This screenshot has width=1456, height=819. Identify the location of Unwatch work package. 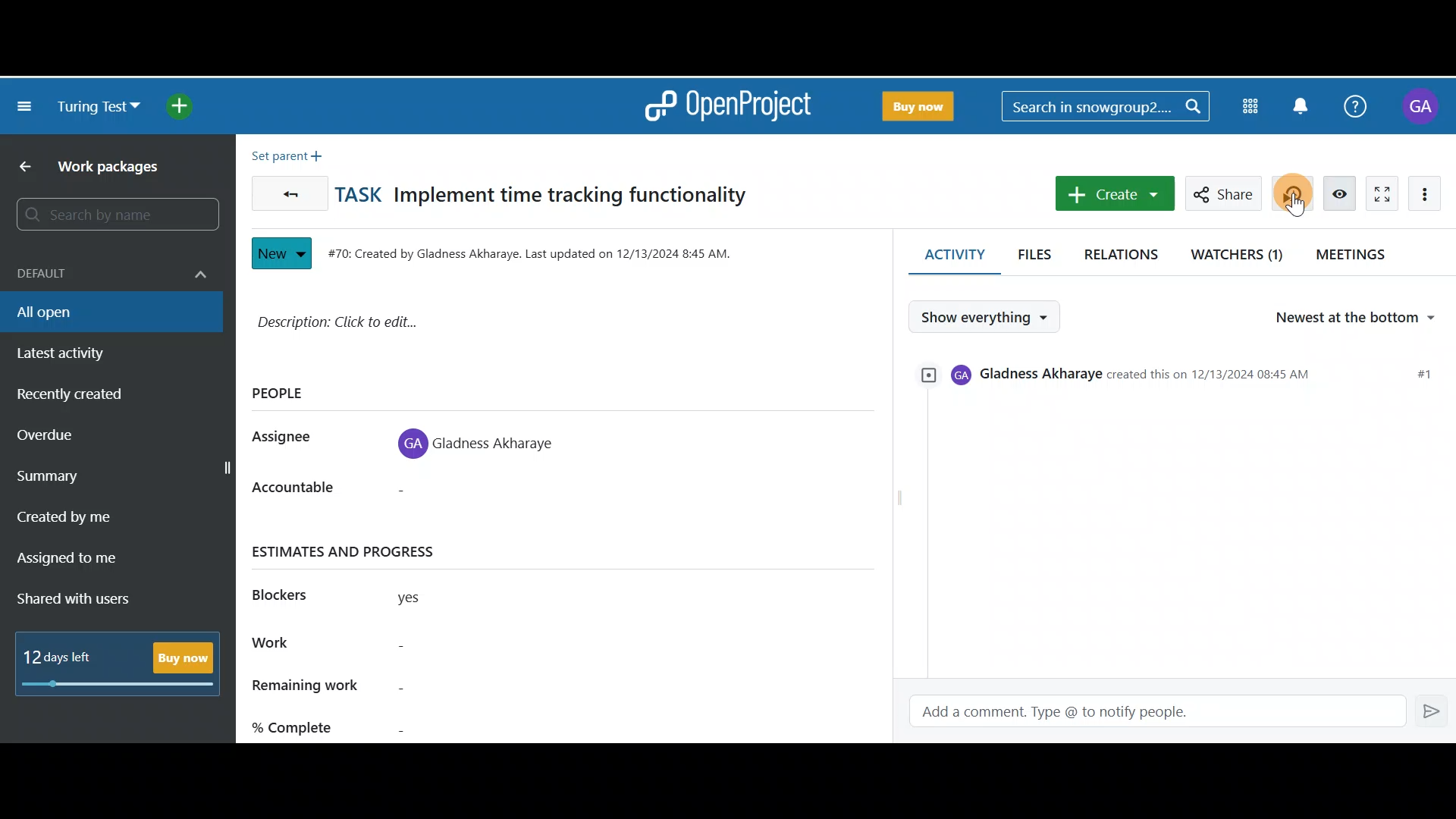
(1339, 193).